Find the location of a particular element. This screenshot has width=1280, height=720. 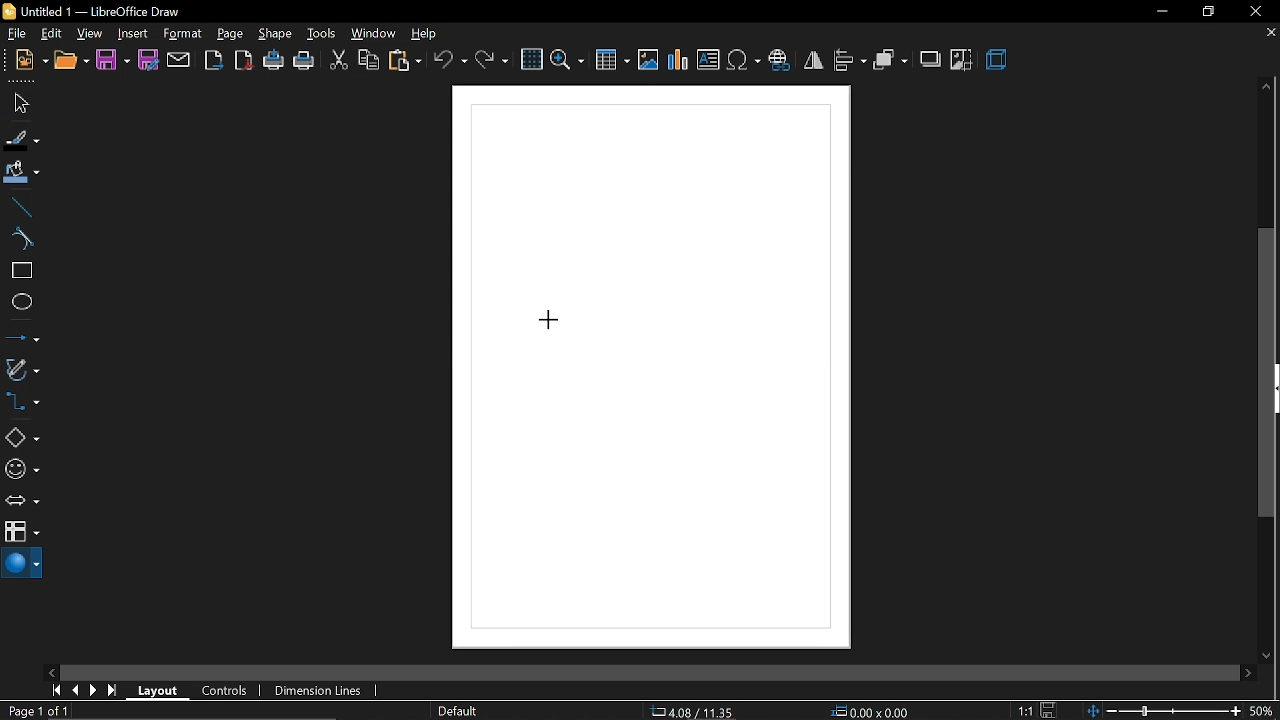

file is located at coordinates (15, 33).